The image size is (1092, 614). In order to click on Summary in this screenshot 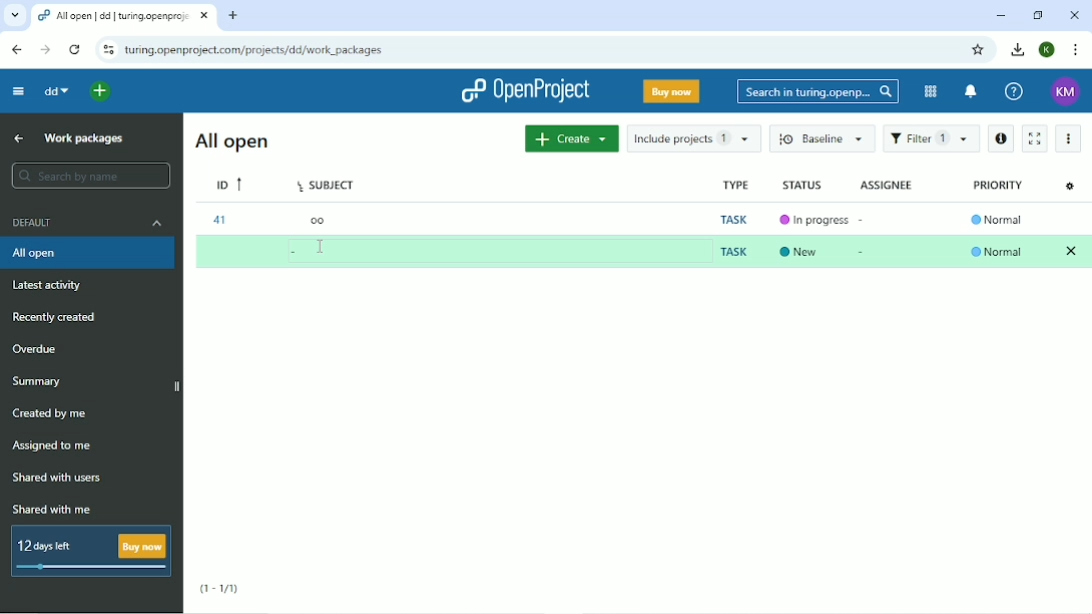, I will do `click(37, 381)`.